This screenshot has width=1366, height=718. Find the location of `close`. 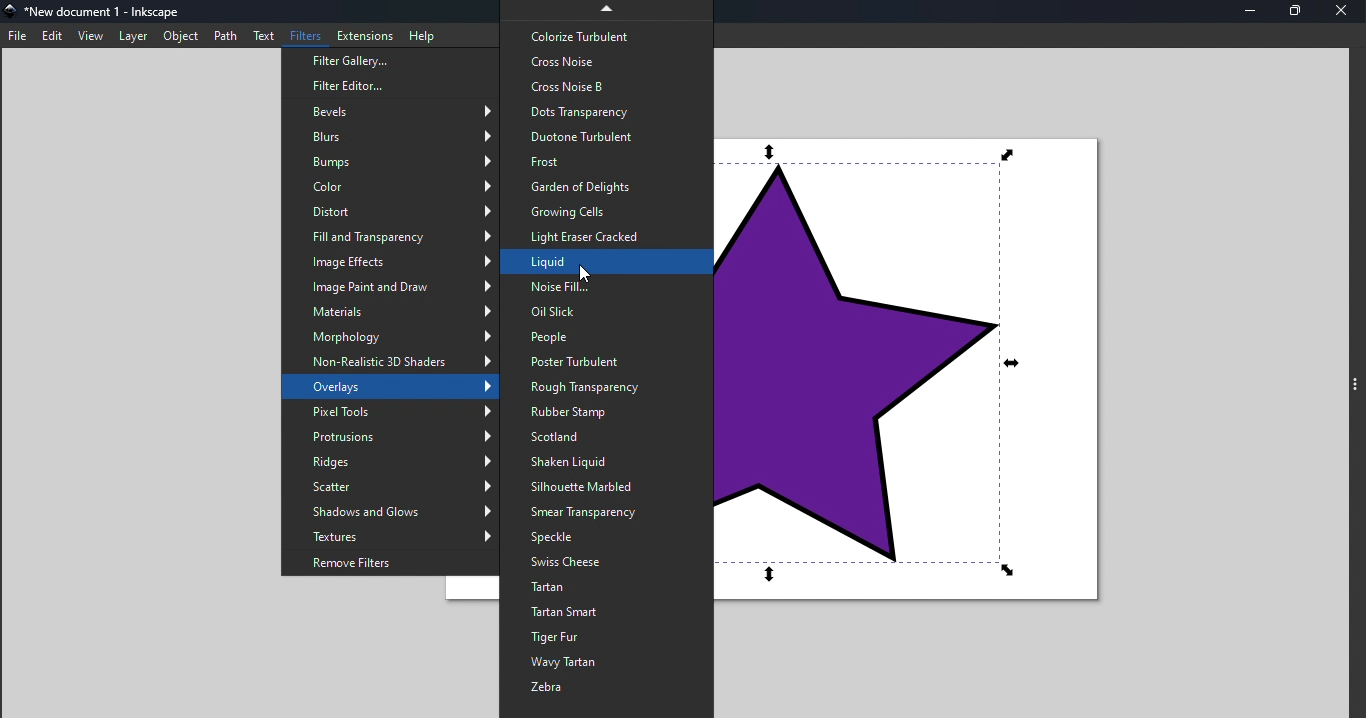

close is located at coordinates (1343, 12).